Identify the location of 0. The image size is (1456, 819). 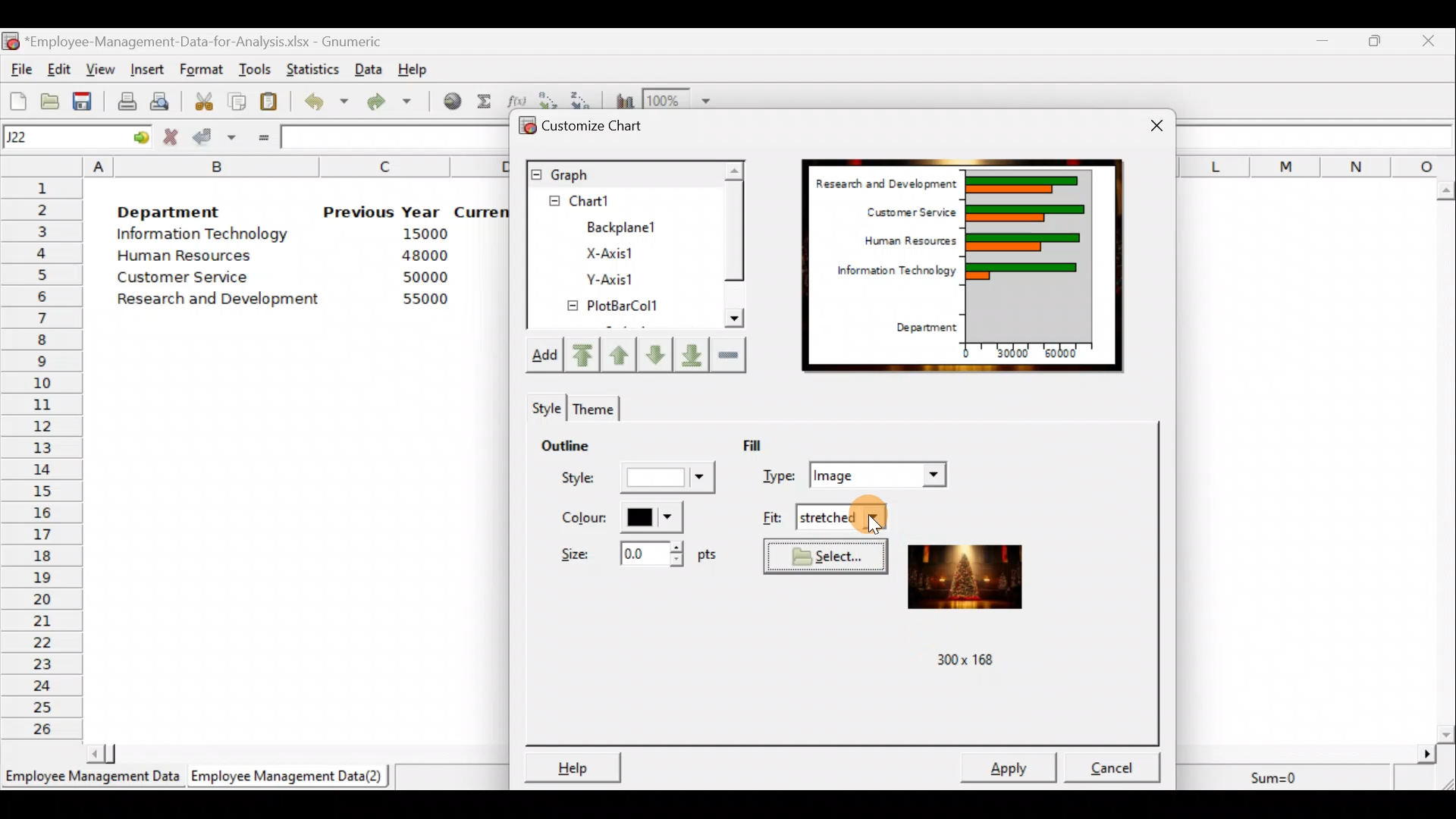
(965, 351).